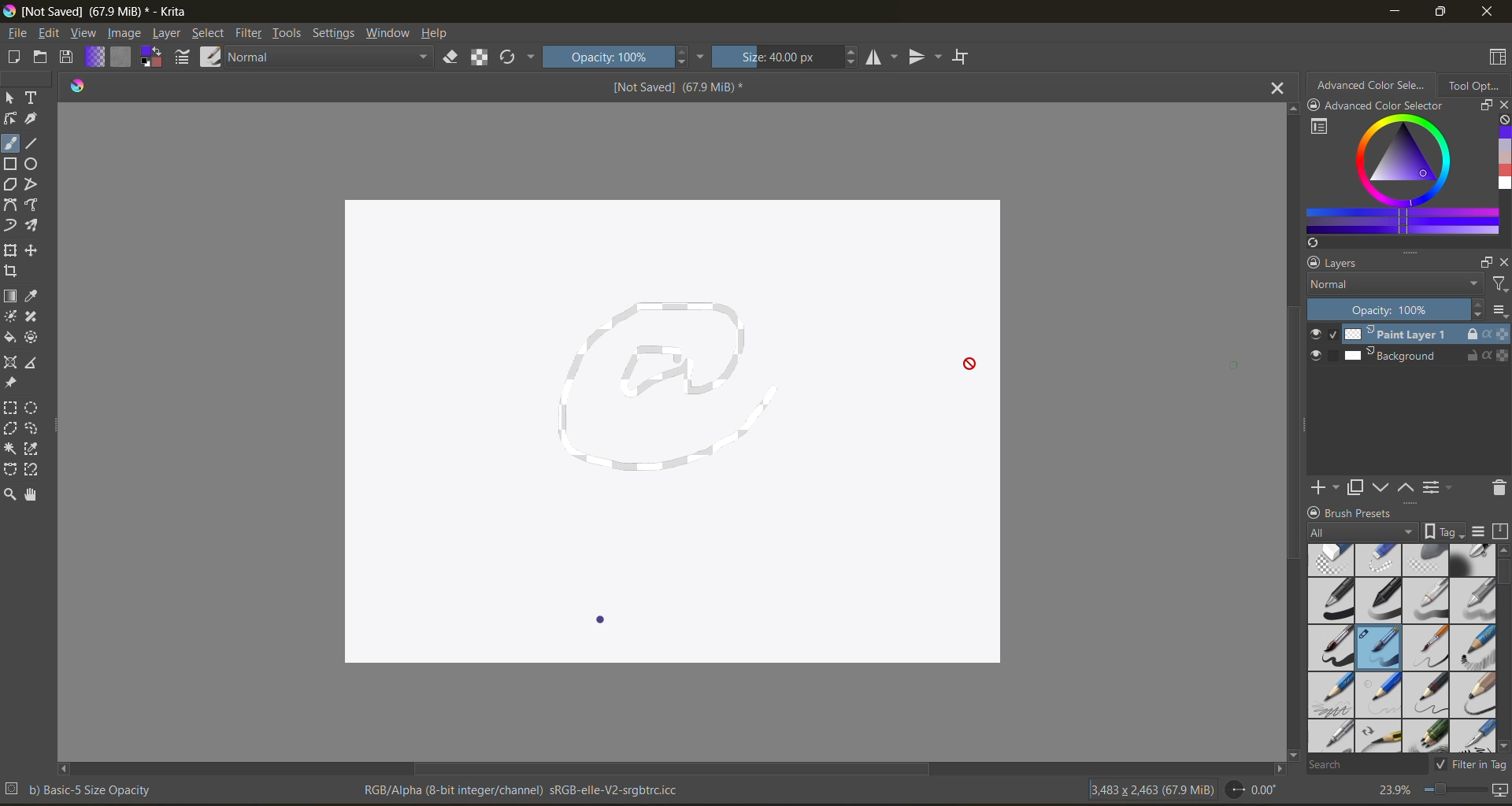 This screenshot has width=1512, height=806. I want to click on brush, so click(1425, 648).